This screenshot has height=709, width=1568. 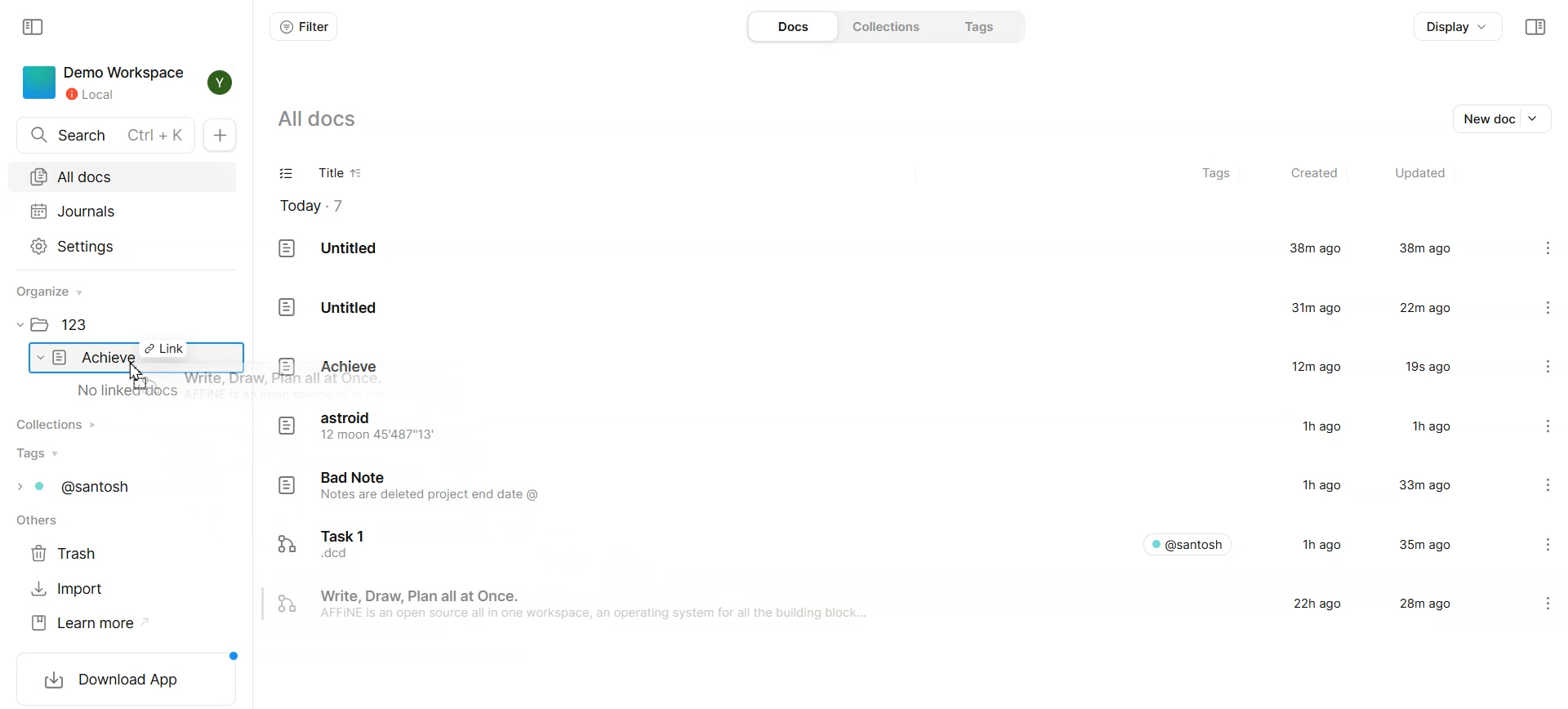 I want to click on Collapse sidebar, so click(x=35, y=25).